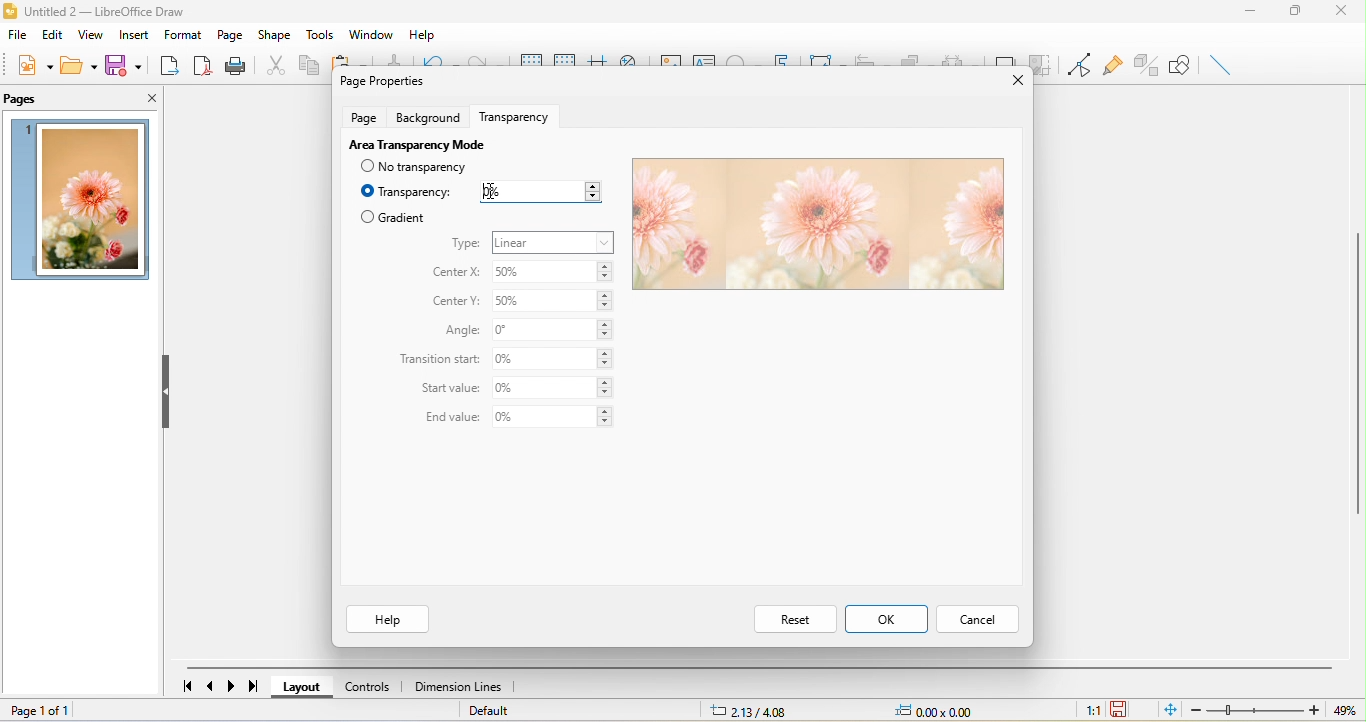 Image resolution: width=1366 pixels, height=722 pixels. Describe the element at coordinates (122, 64) in the screenshot. I see `save` at that location.